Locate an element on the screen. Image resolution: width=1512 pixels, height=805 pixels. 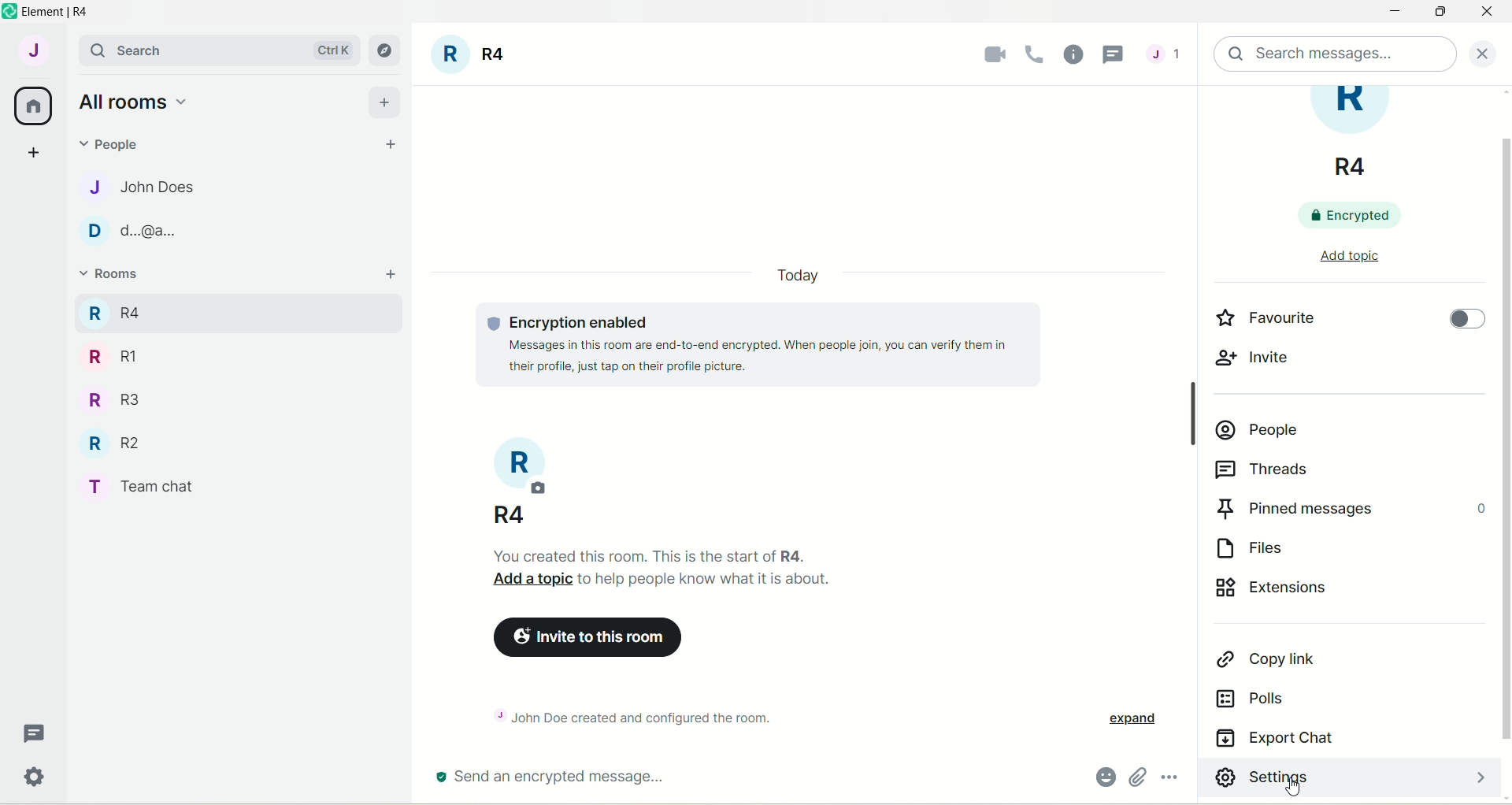
send an encrypted message... is located at coordinates (571, 775).